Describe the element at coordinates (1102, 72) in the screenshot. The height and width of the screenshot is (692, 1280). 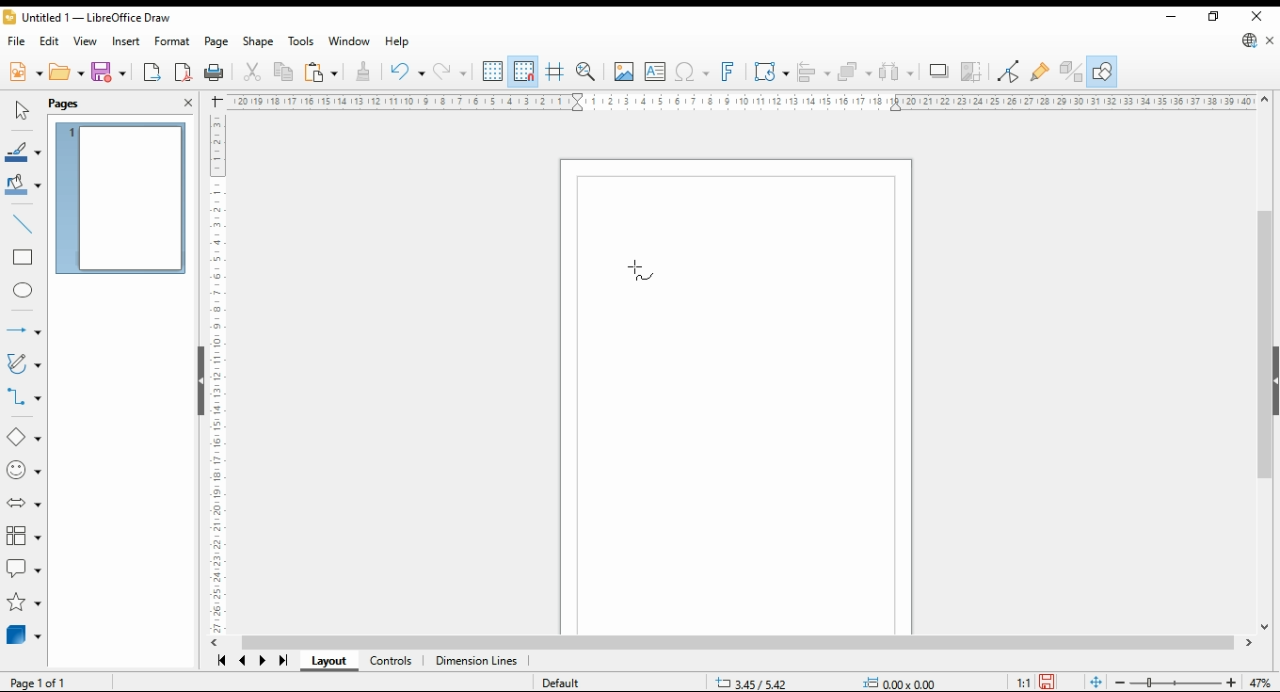
I see `show draw functions` at that location.